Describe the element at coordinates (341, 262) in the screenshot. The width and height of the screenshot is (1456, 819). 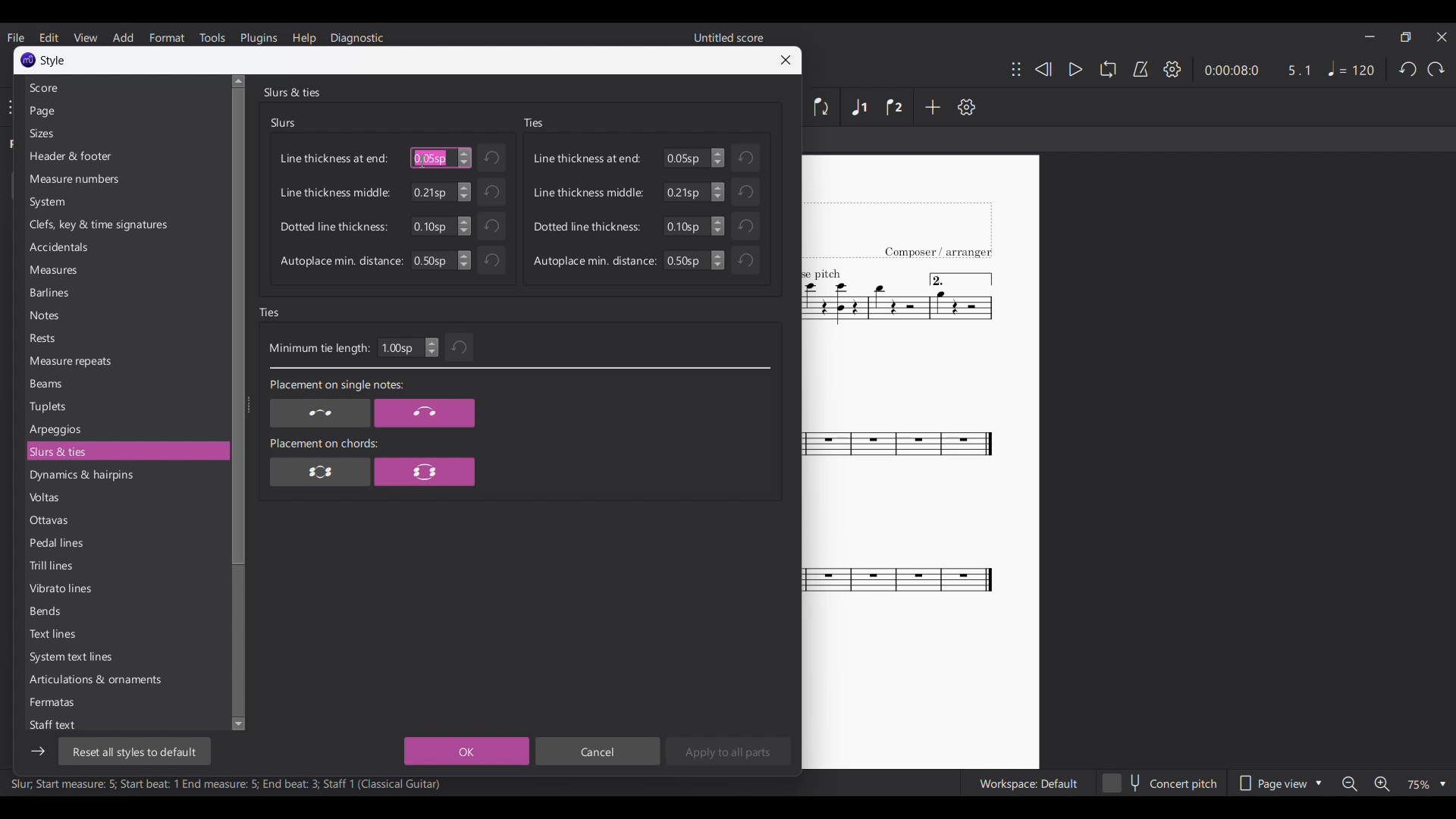
I see `Autoplace min. distance` at that location.